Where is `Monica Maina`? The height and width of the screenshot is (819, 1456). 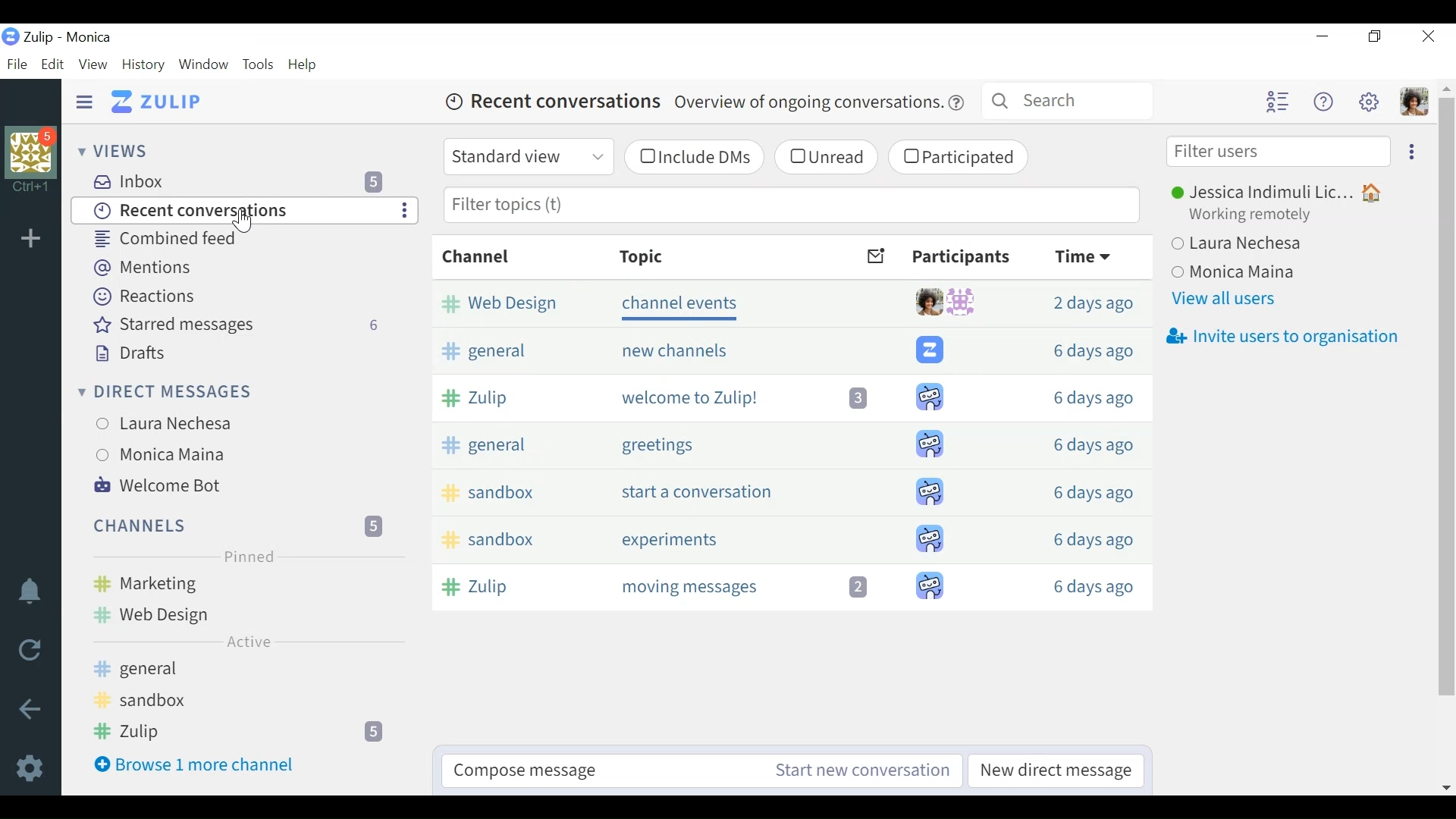 Monica Maina is located at coordinates (1270, 274).